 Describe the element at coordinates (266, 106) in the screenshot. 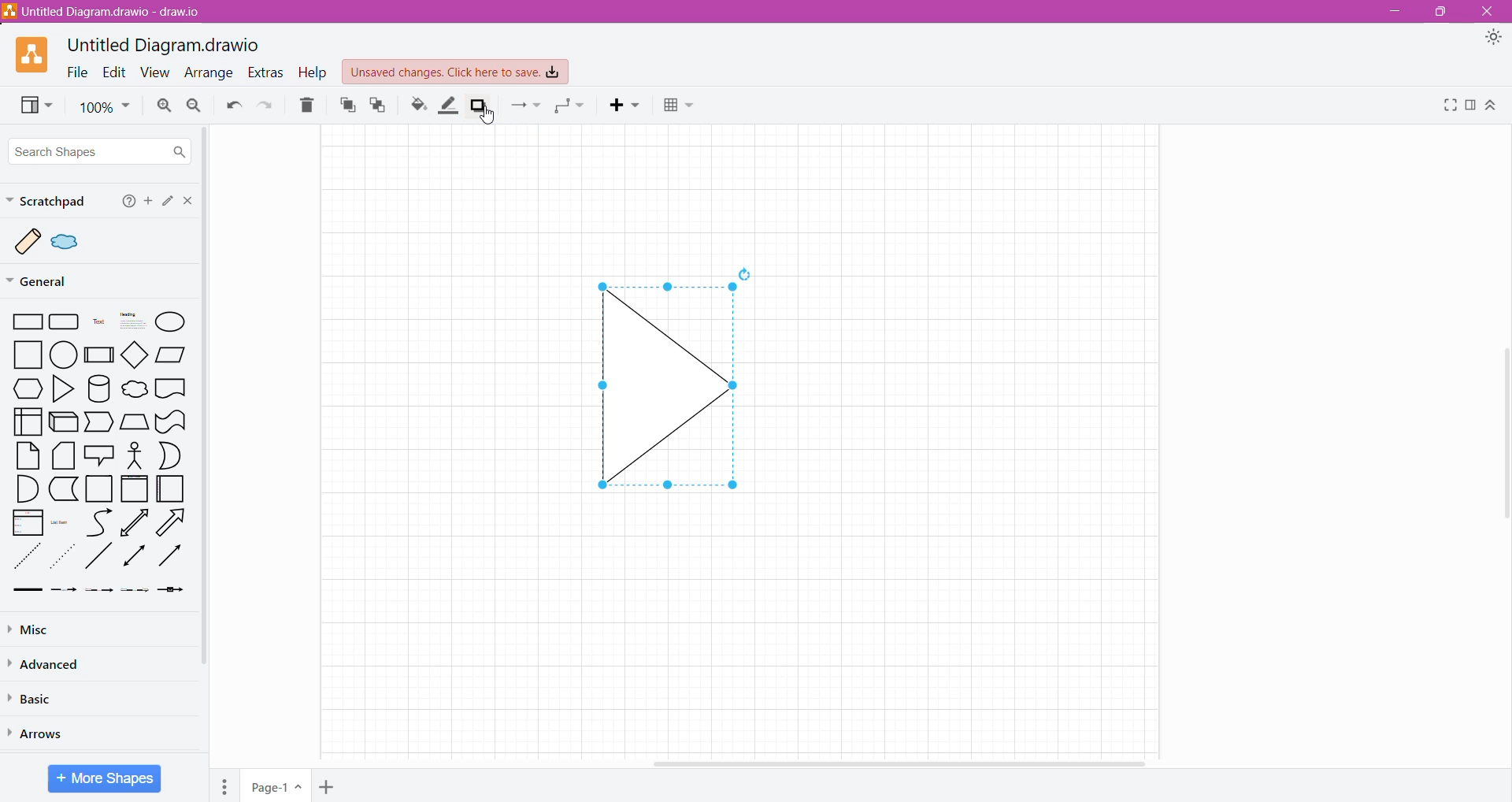

I see `Redo` at that location.